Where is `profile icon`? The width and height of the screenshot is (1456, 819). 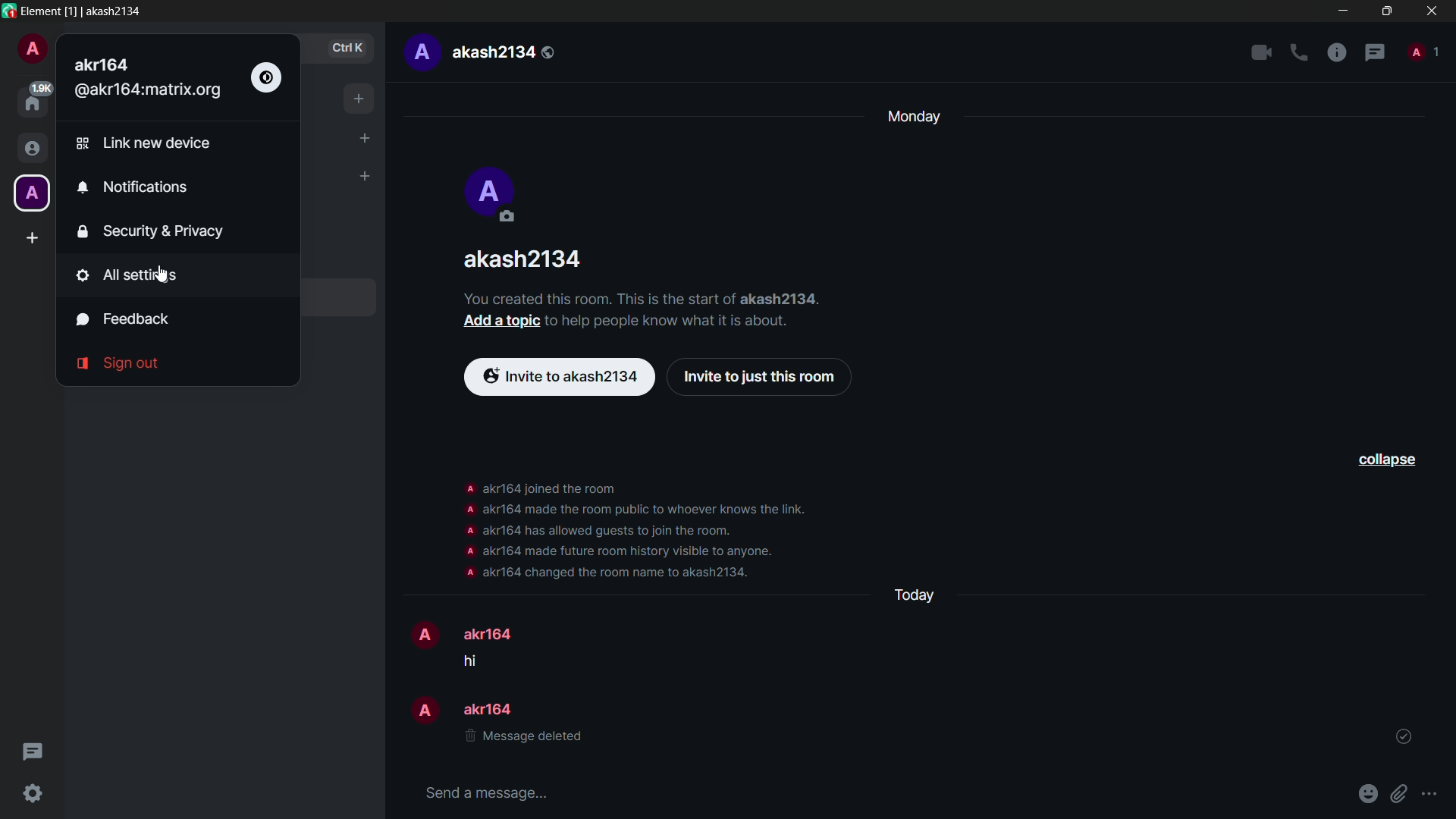
profile icon is located at coordinates (494, 196).